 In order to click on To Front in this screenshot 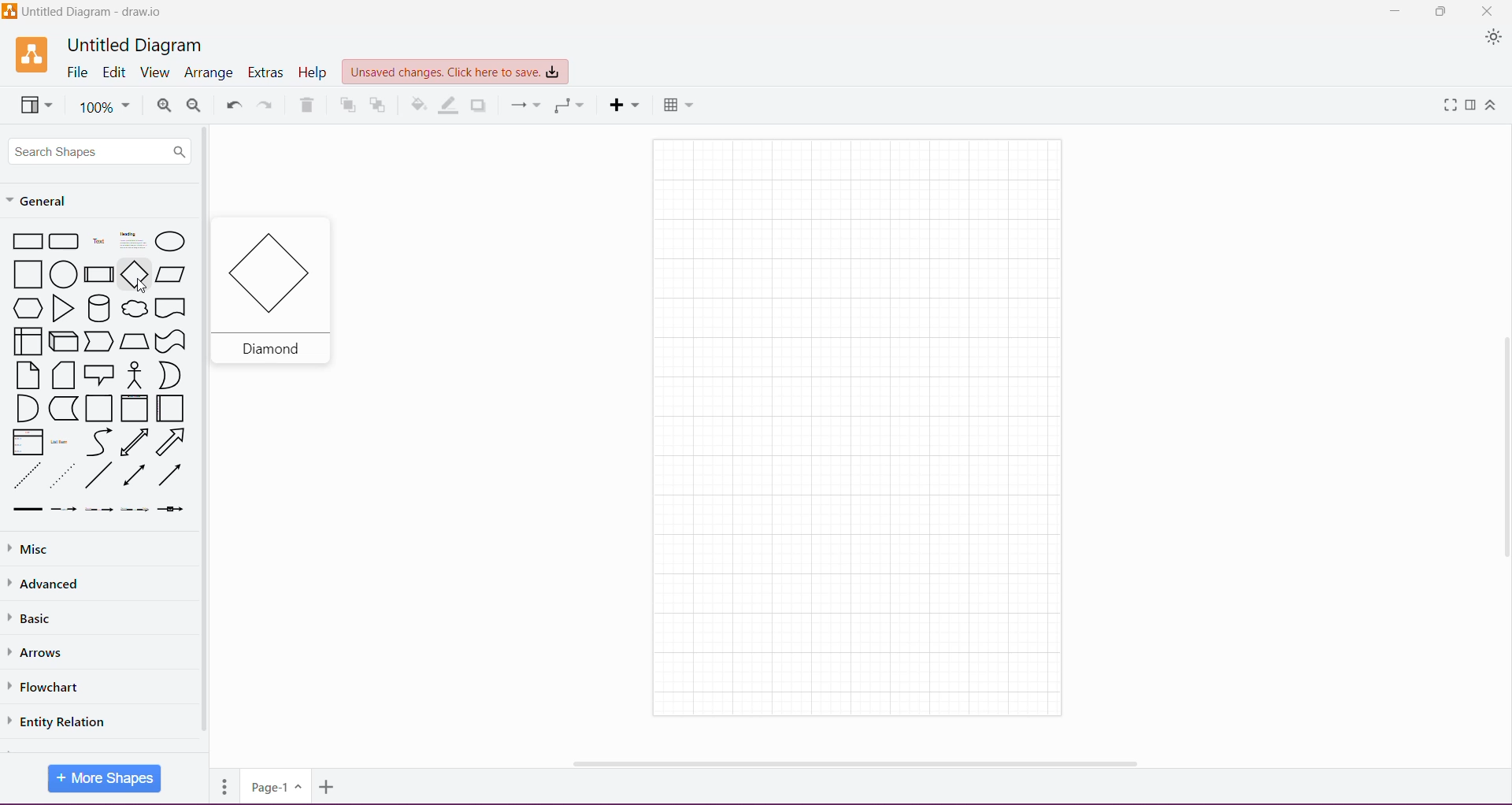, I will do `click(347, 106)`.